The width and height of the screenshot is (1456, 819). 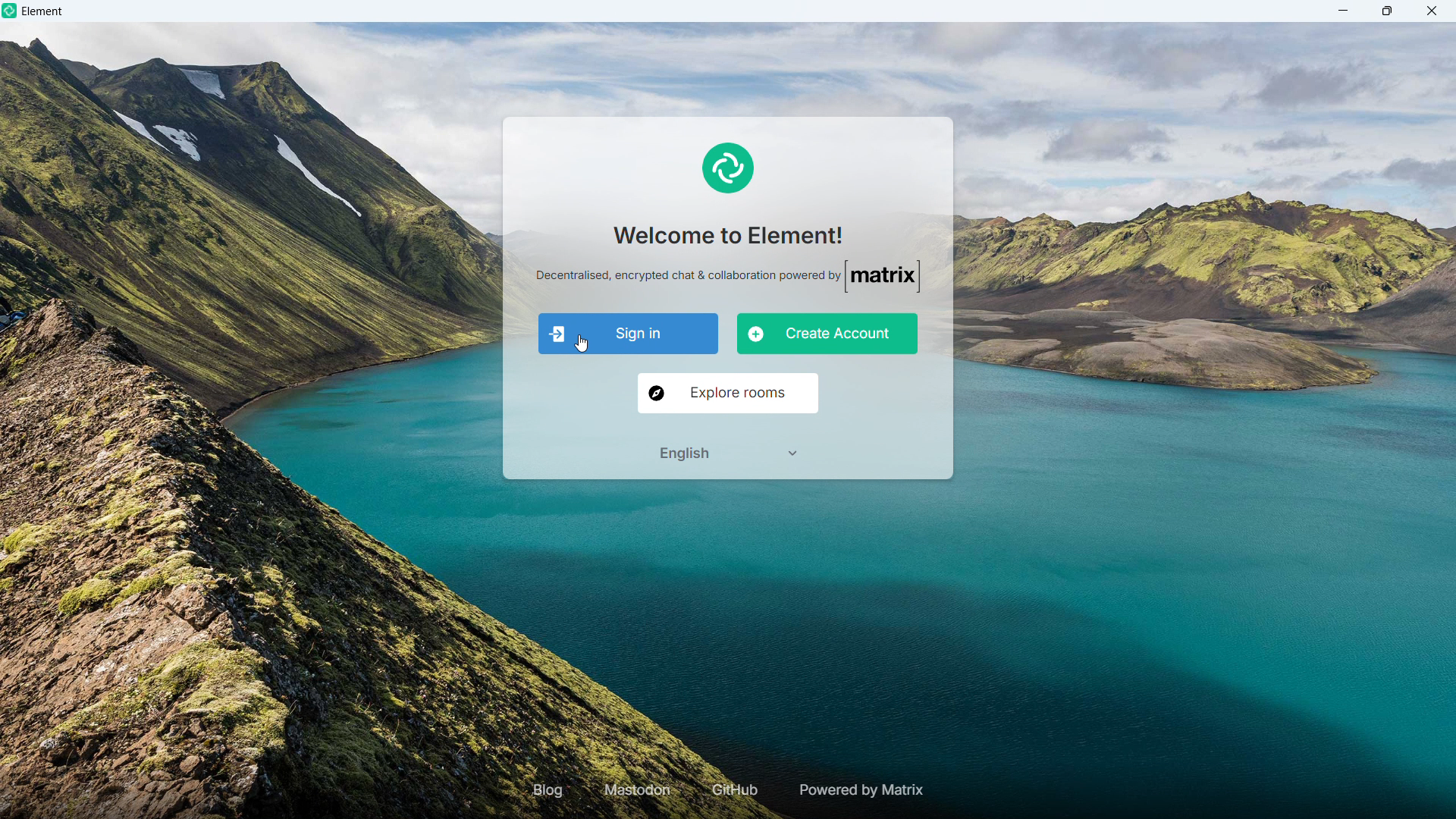 What do you see at coordinates (1431, 11) in the screenshot?
I see `close ` at bounding box center [1431, 11].